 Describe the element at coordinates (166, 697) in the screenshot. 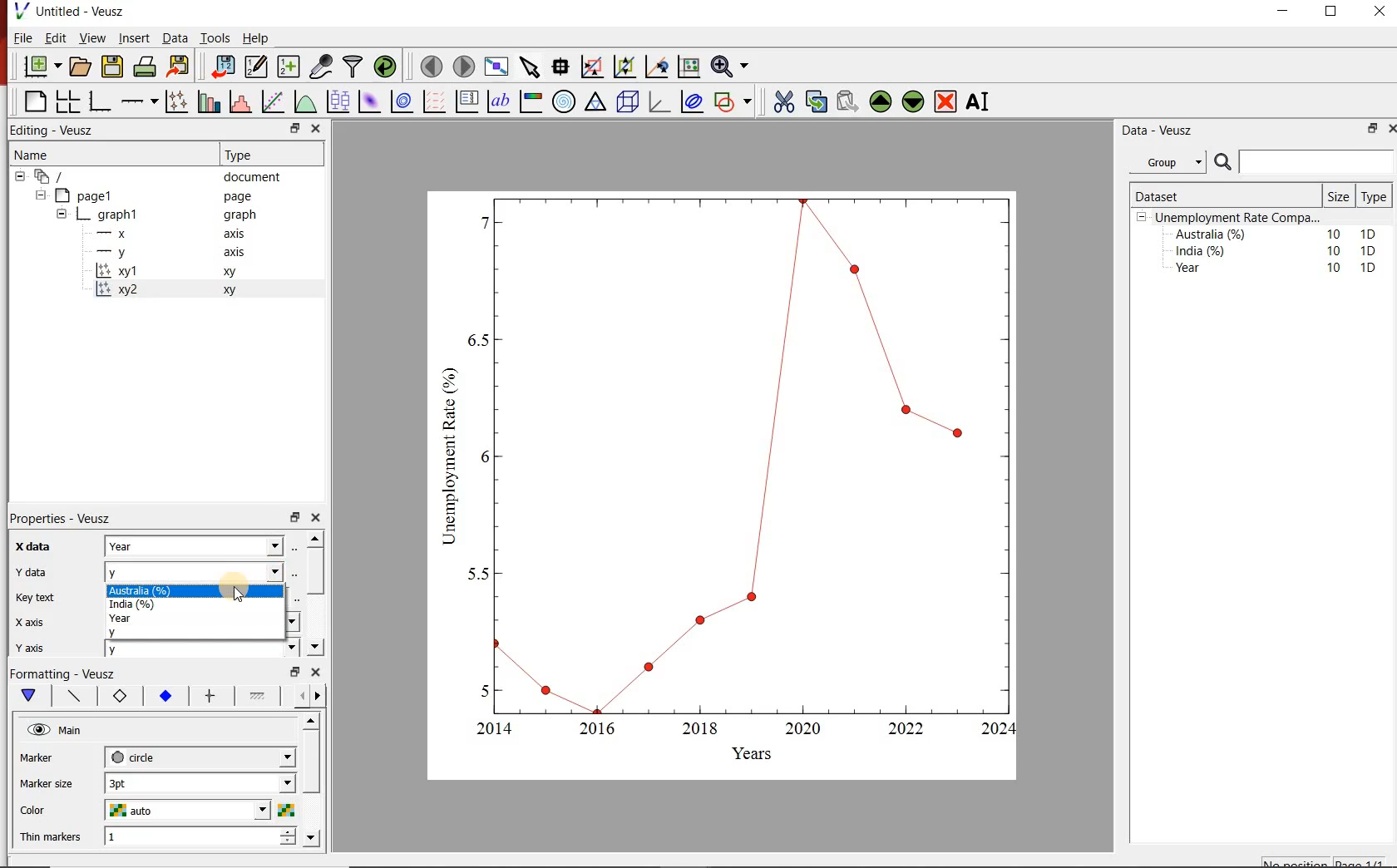

I see `marker fill ` at that location.